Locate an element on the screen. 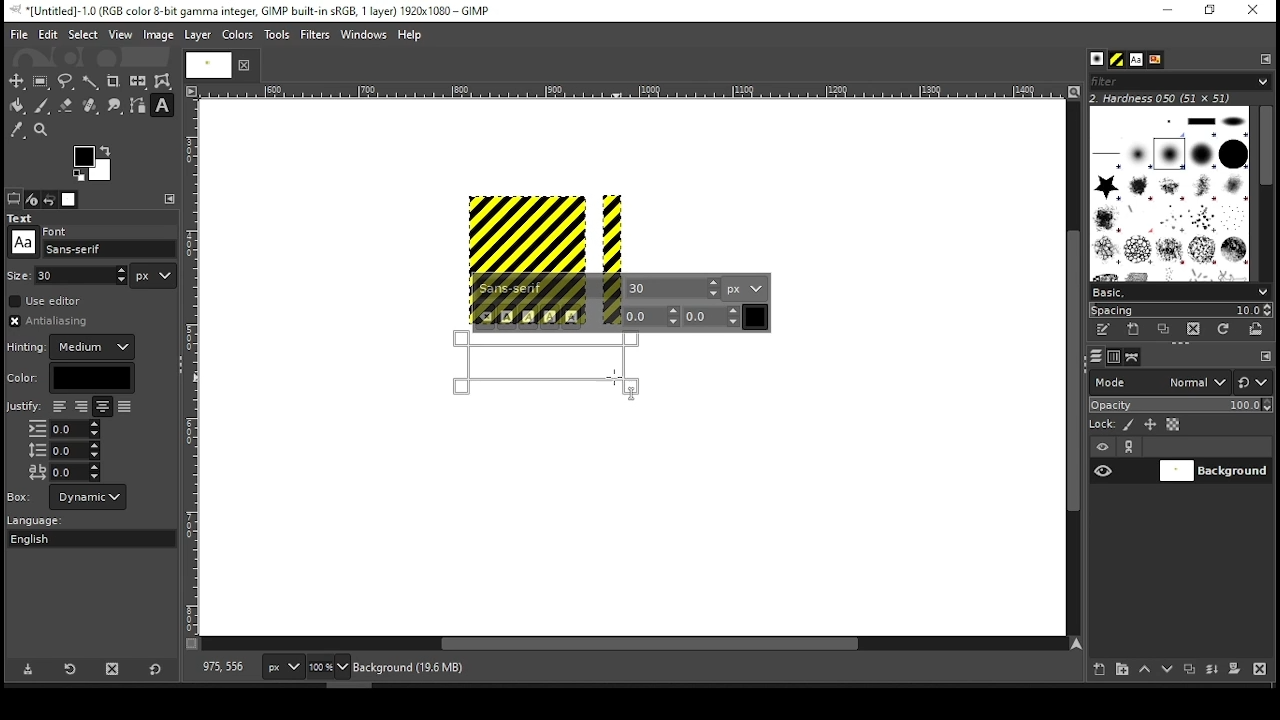  paths tool is located at coordinates (139, 107).